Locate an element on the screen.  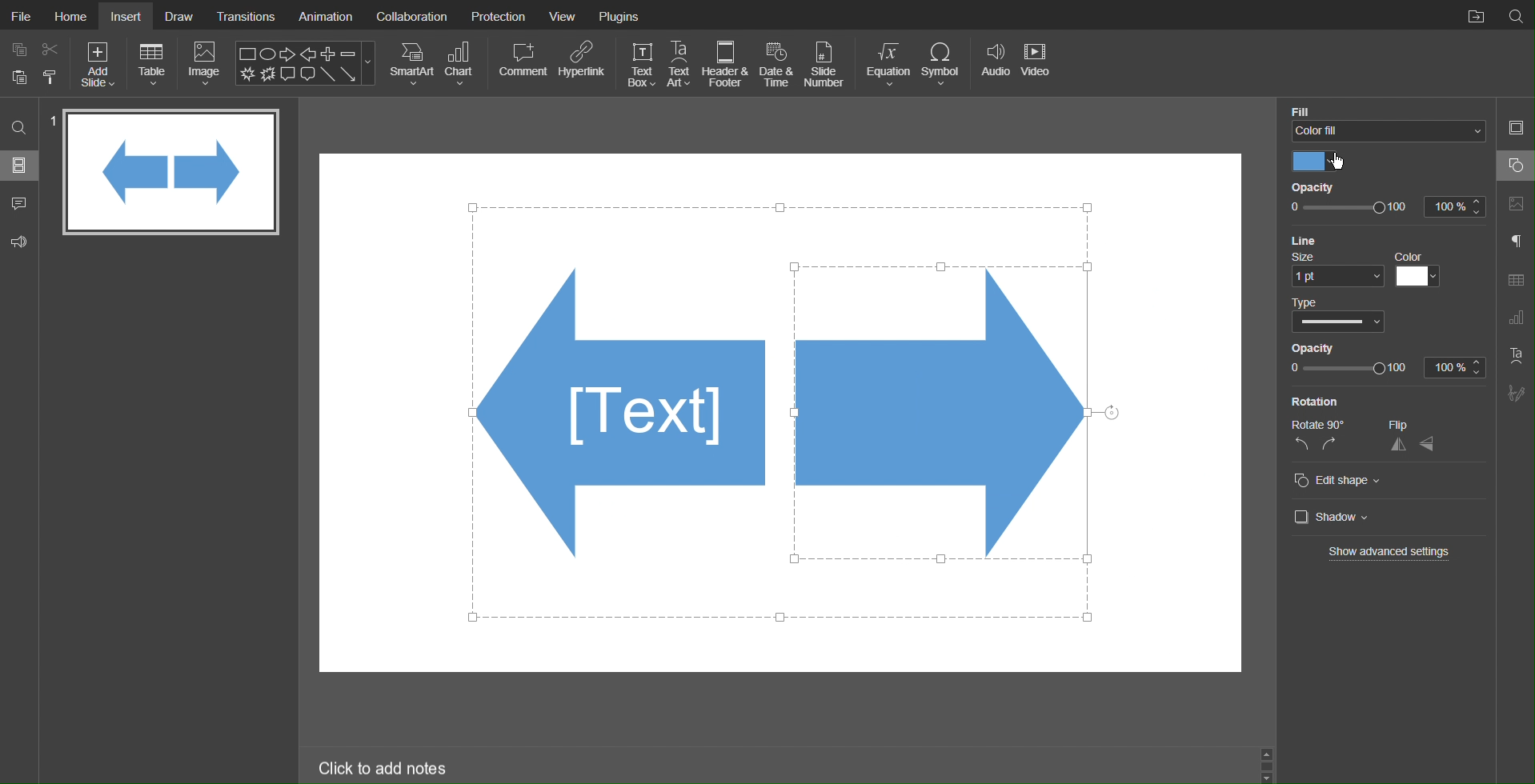
Text Box is located at coordinates (641, 64).